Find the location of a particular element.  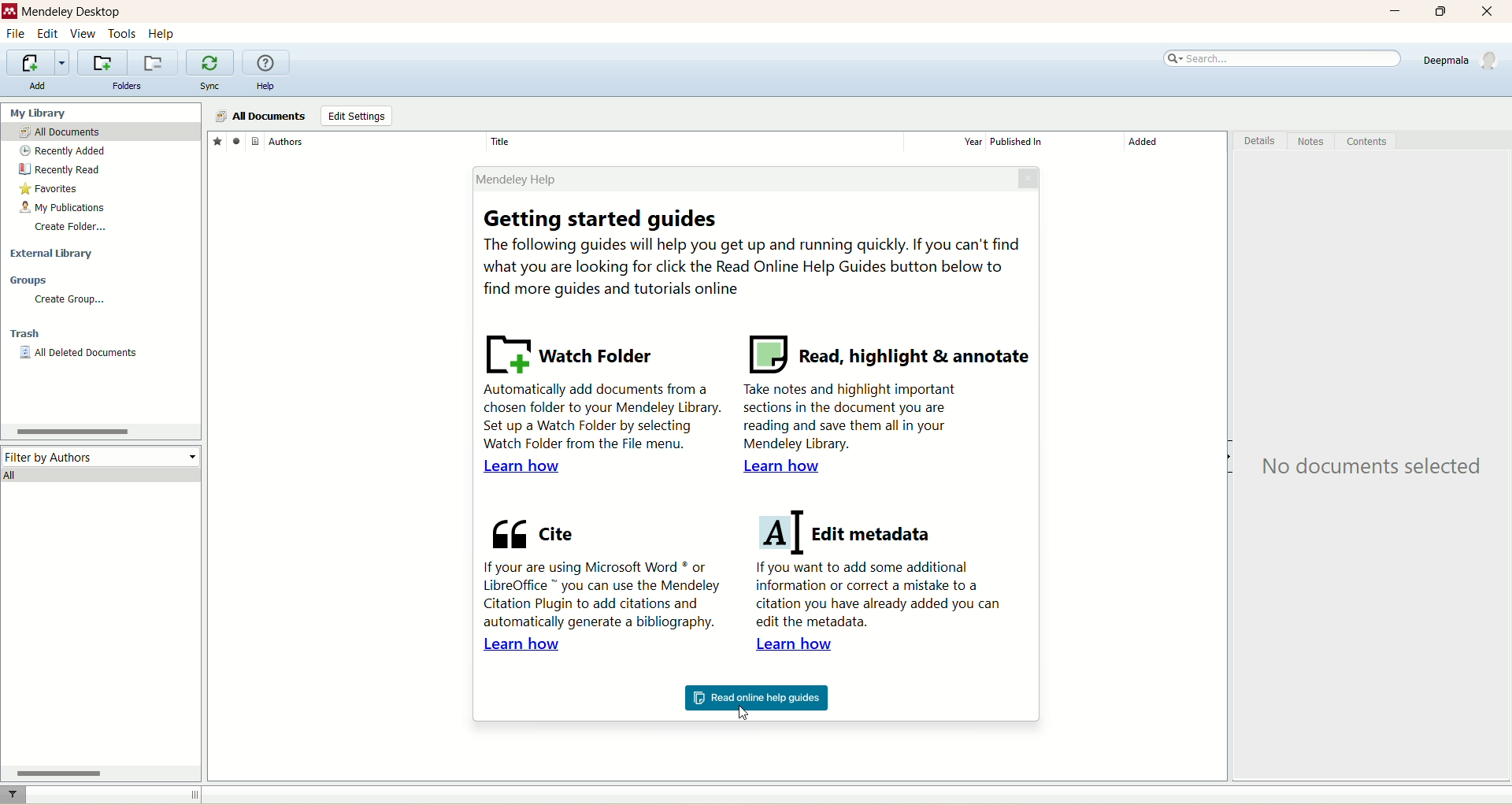

Authors is located at coordinates (374, 140).